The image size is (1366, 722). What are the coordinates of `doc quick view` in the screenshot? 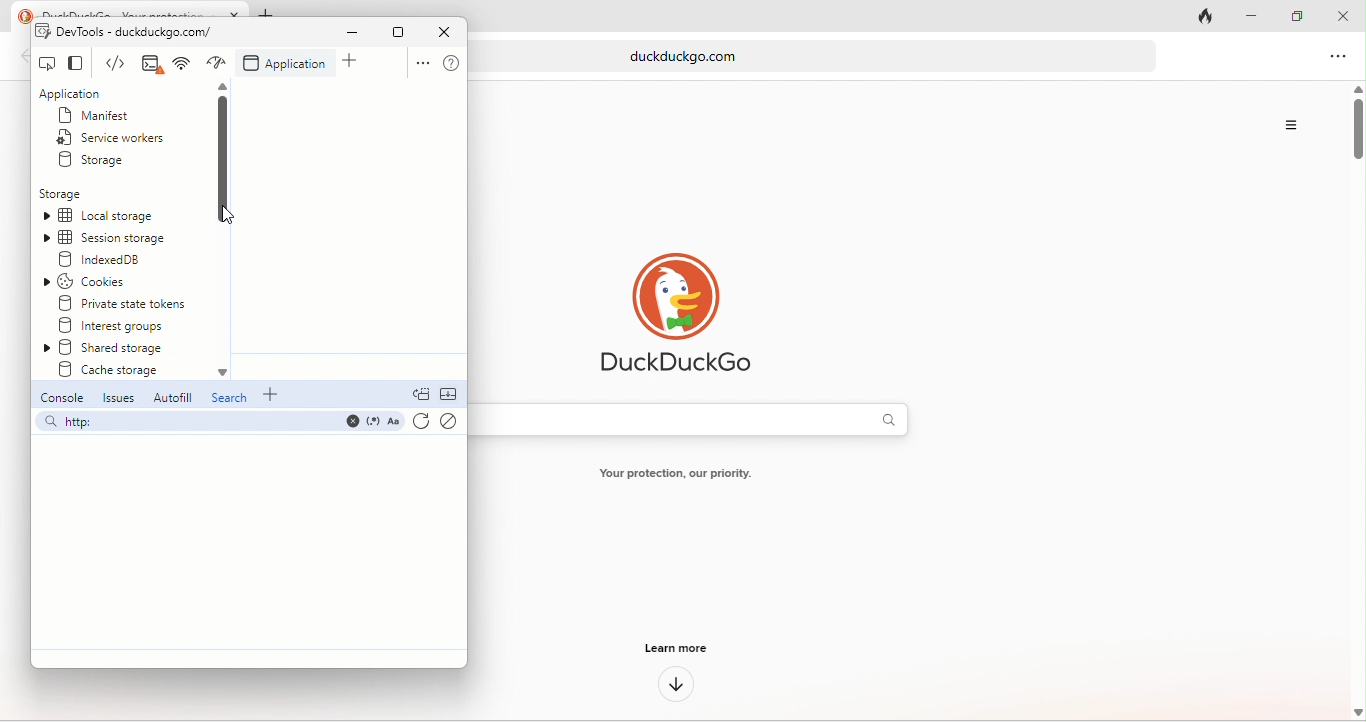 It's located at (421, 395).